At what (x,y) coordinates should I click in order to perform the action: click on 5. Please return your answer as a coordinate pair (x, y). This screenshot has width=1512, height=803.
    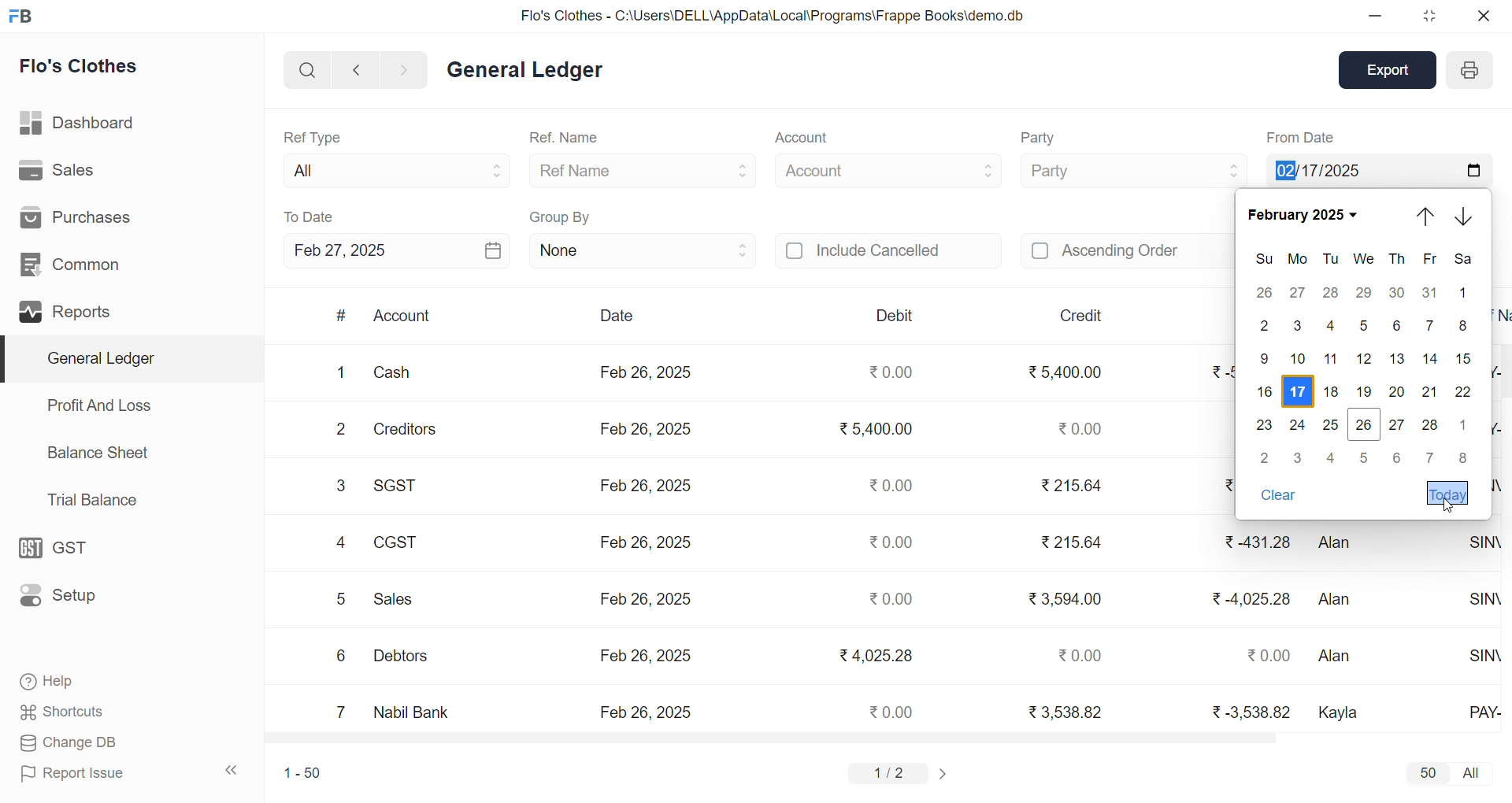
    Looking at the image, I should click on (1366, 457).